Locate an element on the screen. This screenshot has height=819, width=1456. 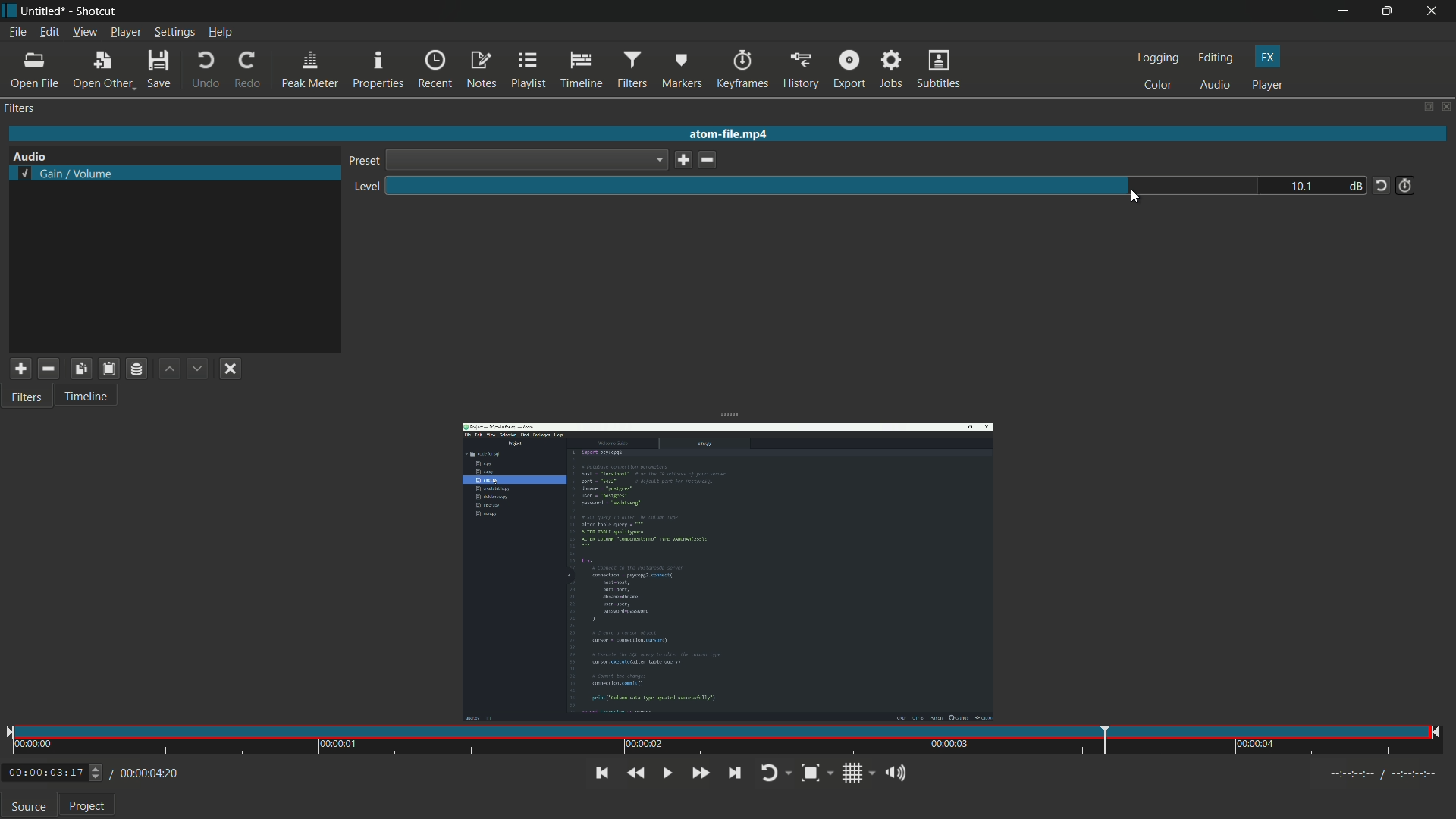
notes is located at coordinates (481, 70).